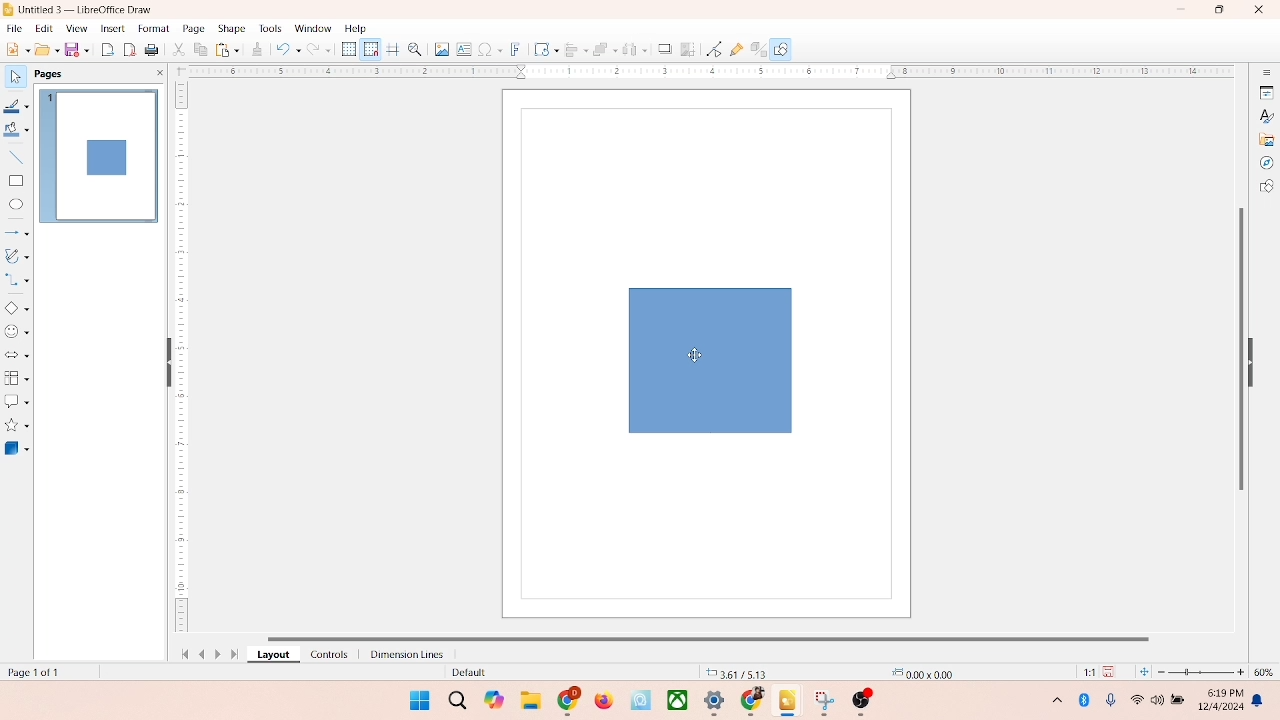  Describe the element at coordinates (288, 51) in the screenshot. I see `undo` at that location.